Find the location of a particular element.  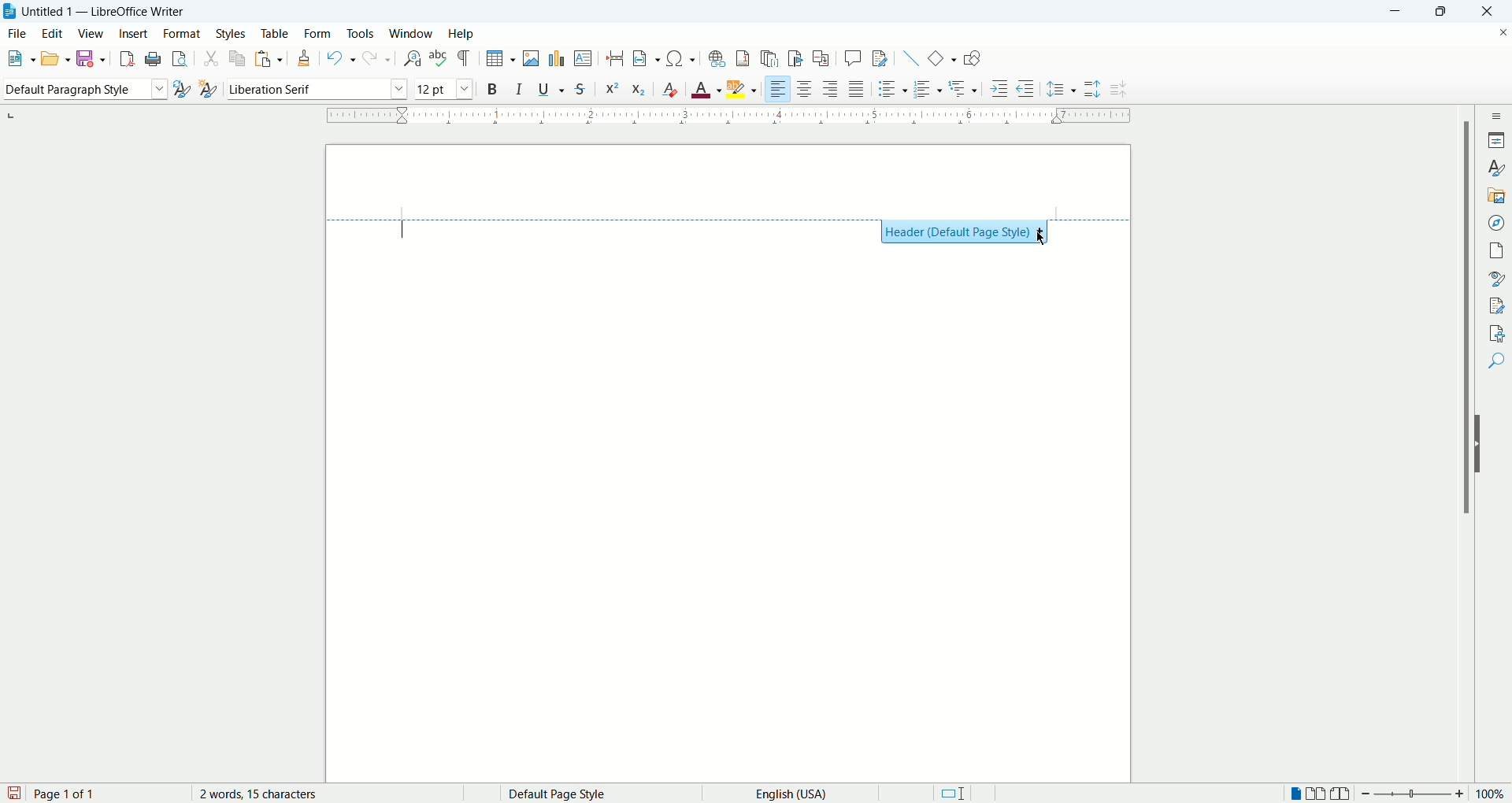

styles is located at coordinates (228, 35).